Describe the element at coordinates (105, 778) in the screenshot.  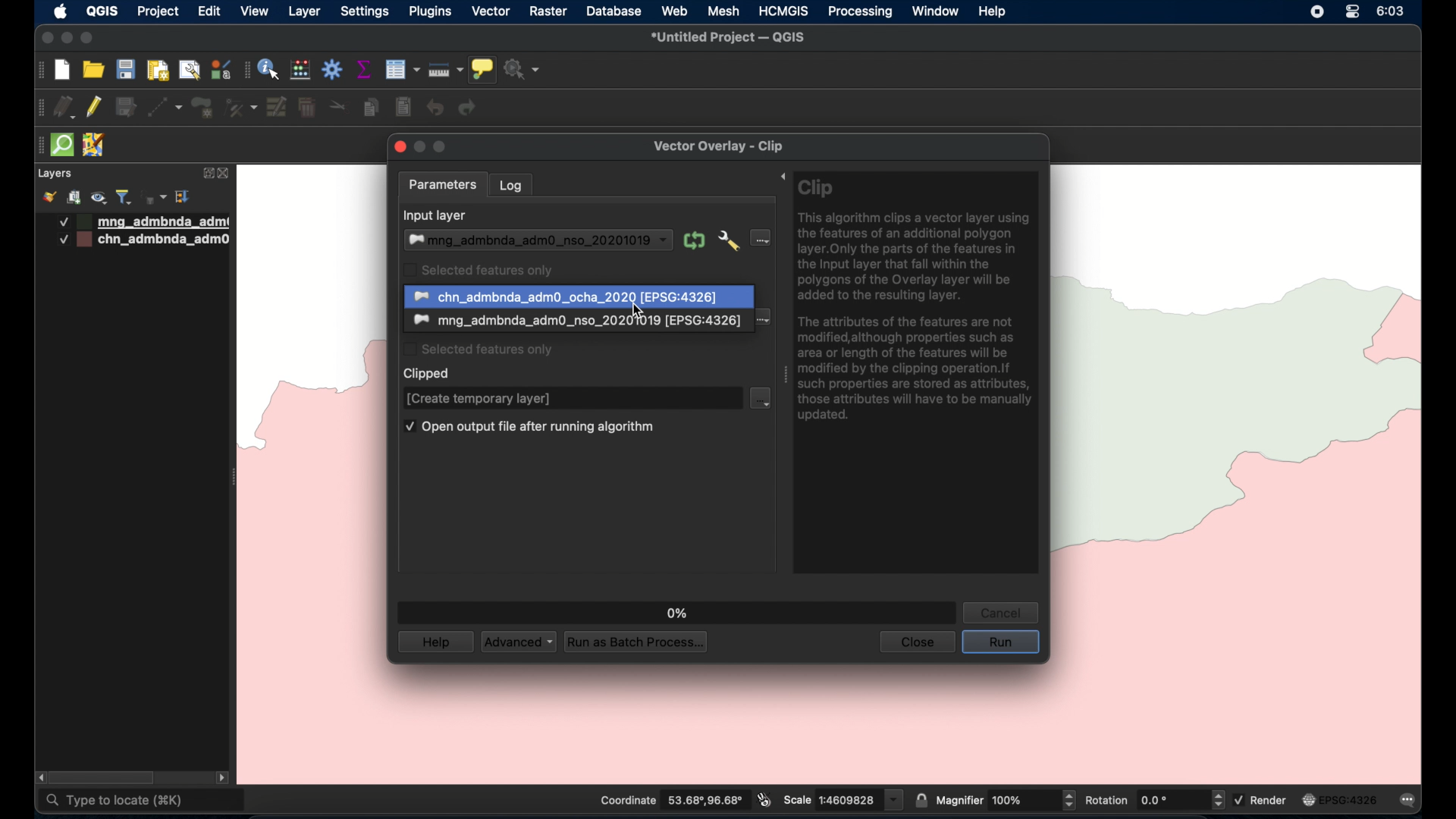
I see `scroll box` at that location.